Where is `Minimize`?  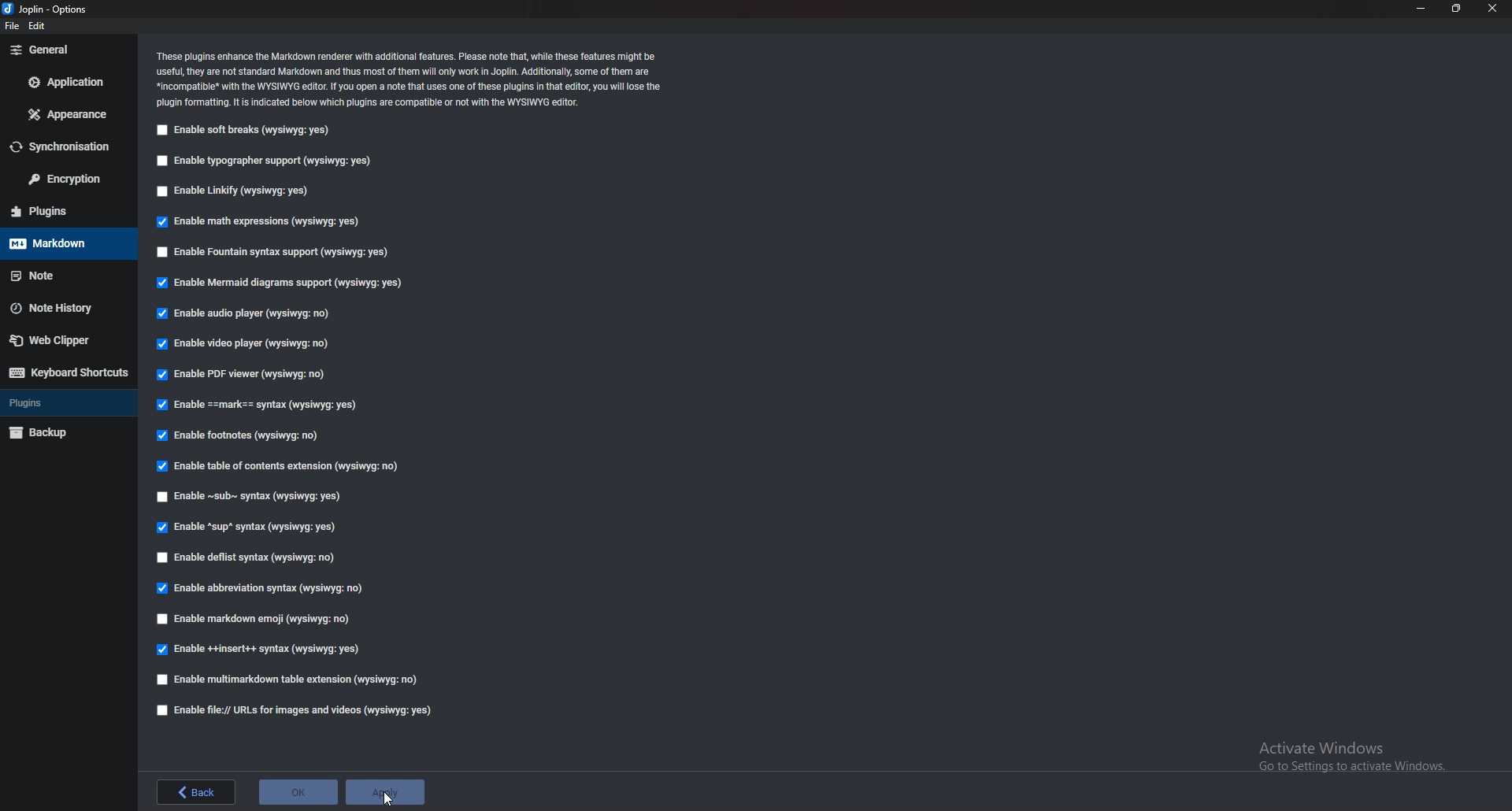
Minimize is located at coordinates (1421, 7).